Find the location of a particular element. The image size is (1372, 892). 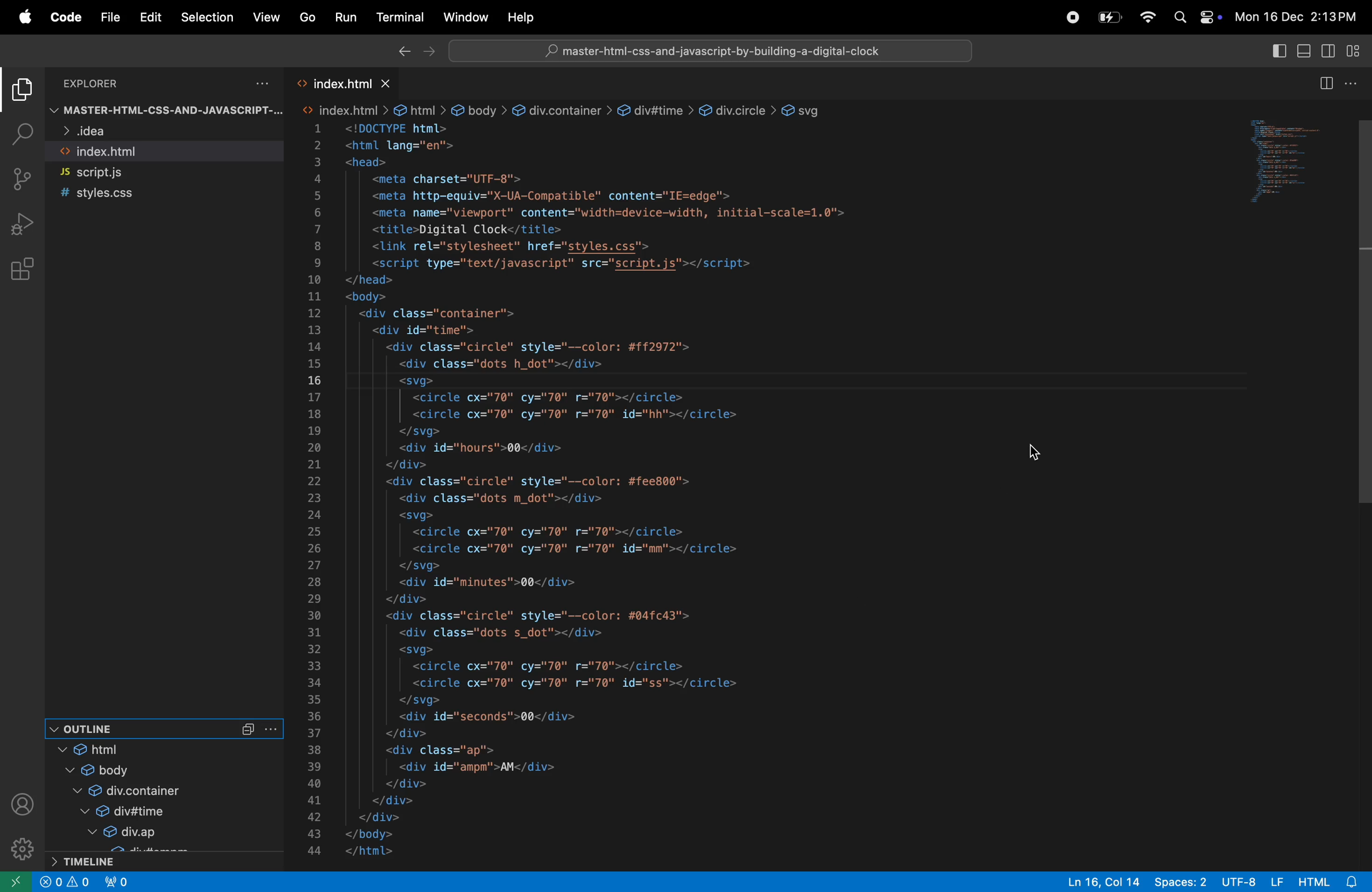

scroll bar is located at coordinates (1363, 480).